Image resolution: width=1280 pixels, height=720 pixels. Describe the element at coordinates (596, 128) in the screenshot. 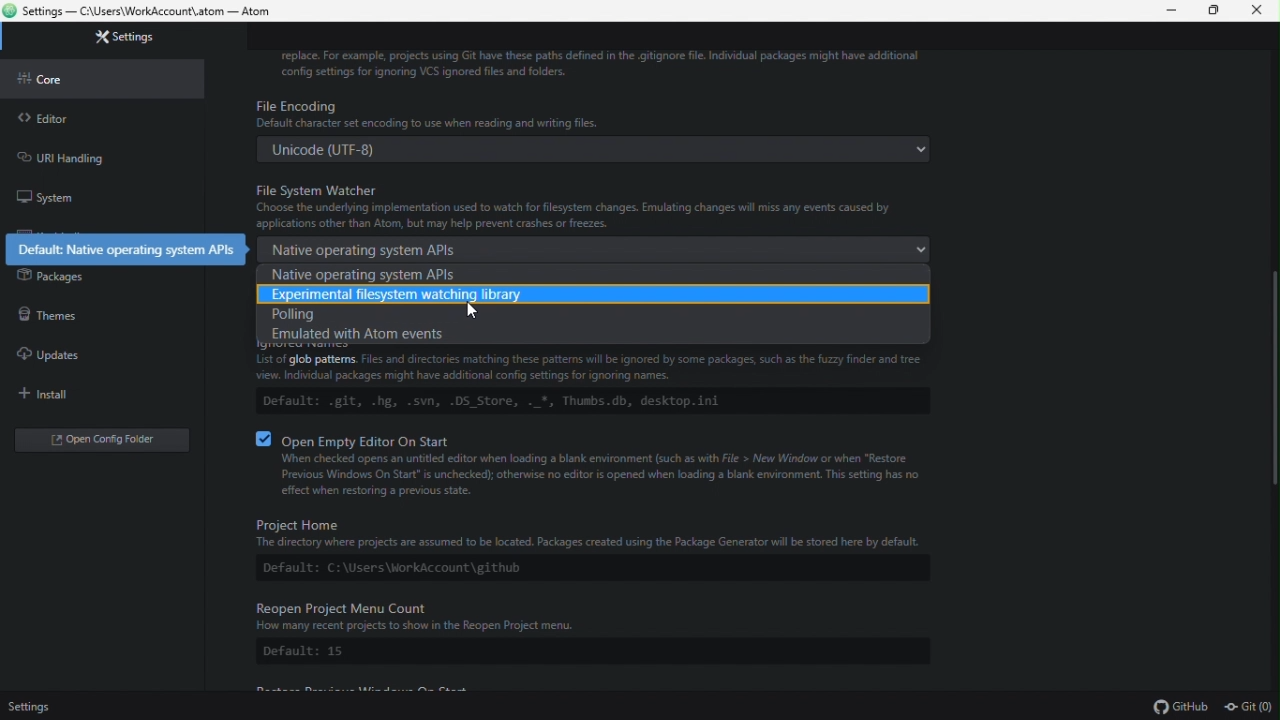

I see `File encoding` at that location.